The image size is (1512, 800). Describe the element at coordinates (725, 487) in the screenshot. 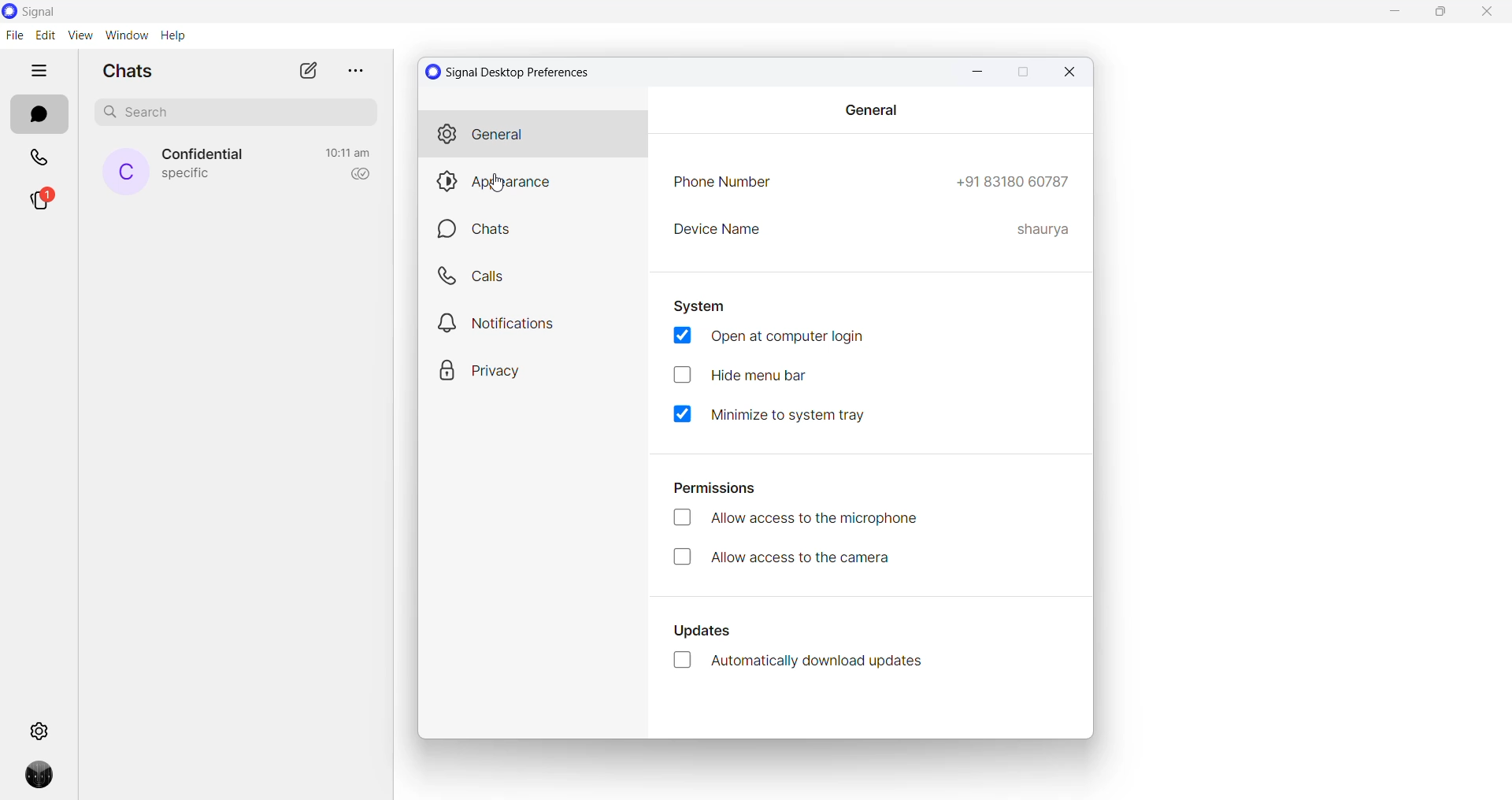

I see `permissions` at that location.